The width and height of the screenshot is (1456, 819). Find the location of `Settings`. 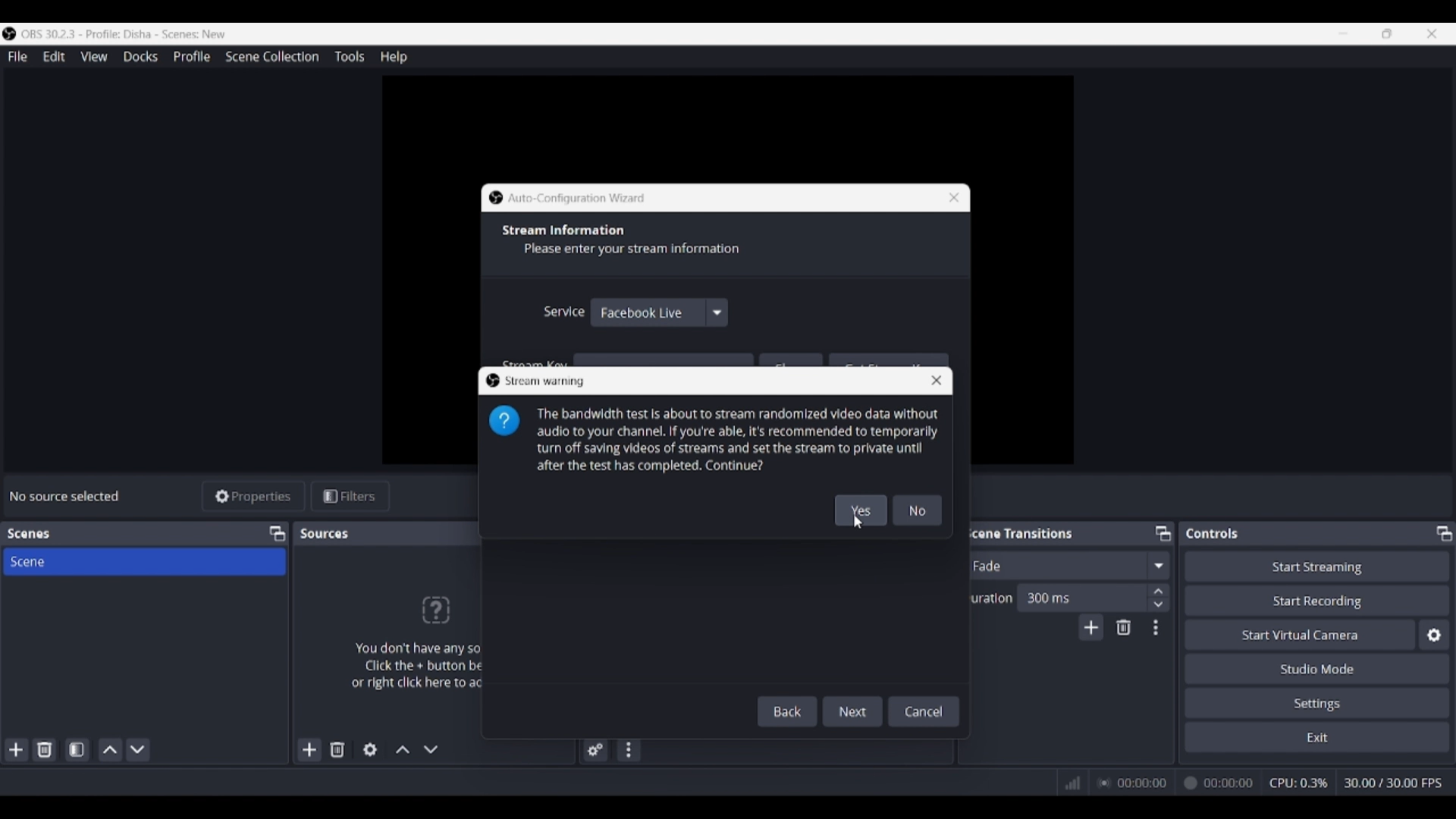

Settings is located at coordinates (1318, 702).